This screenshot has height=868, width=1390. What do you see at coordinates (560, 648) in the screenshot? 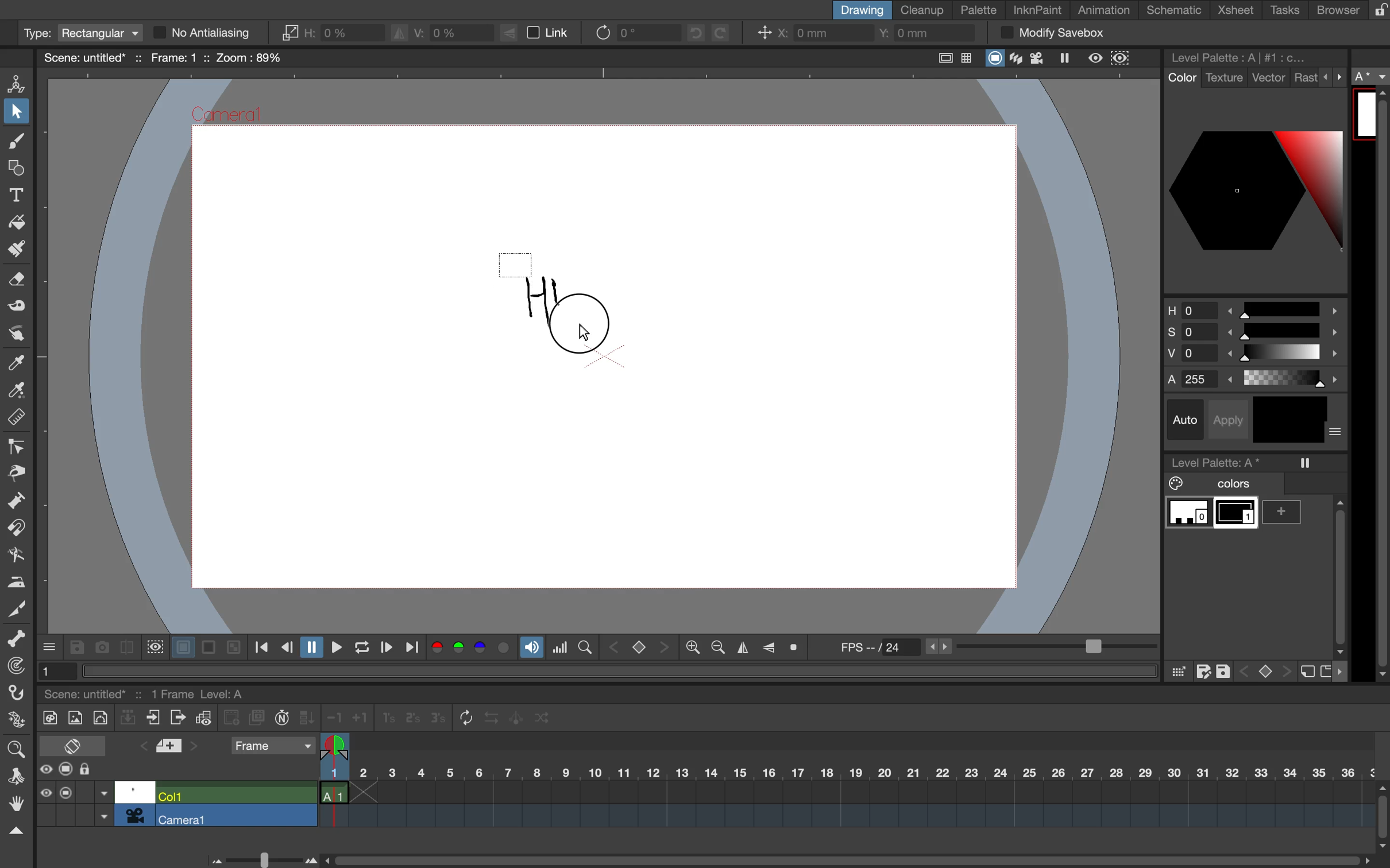
I see `histogram` at bounding box center [560, 648].